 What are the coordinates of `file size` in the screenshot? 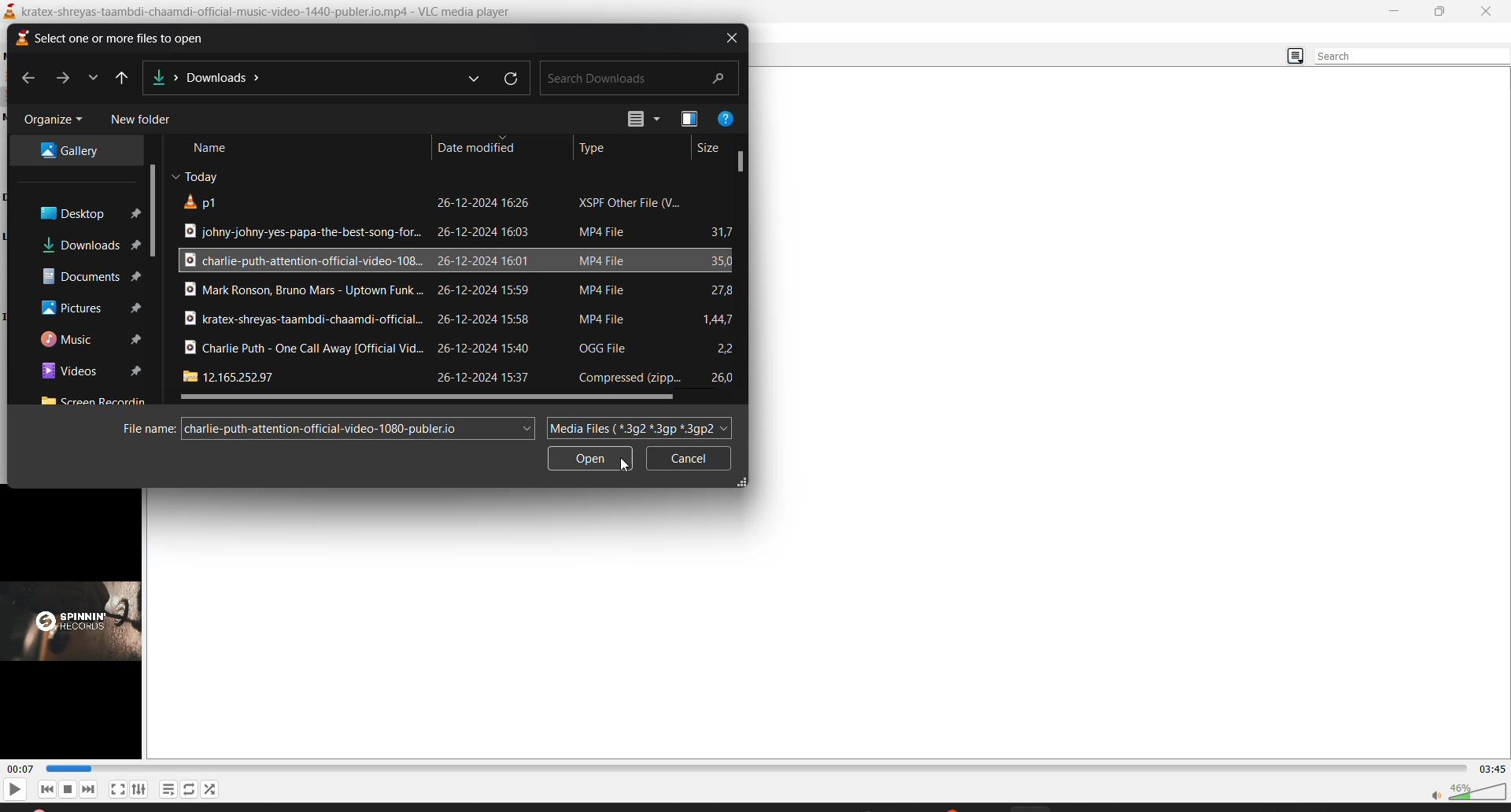 It's located at (723, 345).